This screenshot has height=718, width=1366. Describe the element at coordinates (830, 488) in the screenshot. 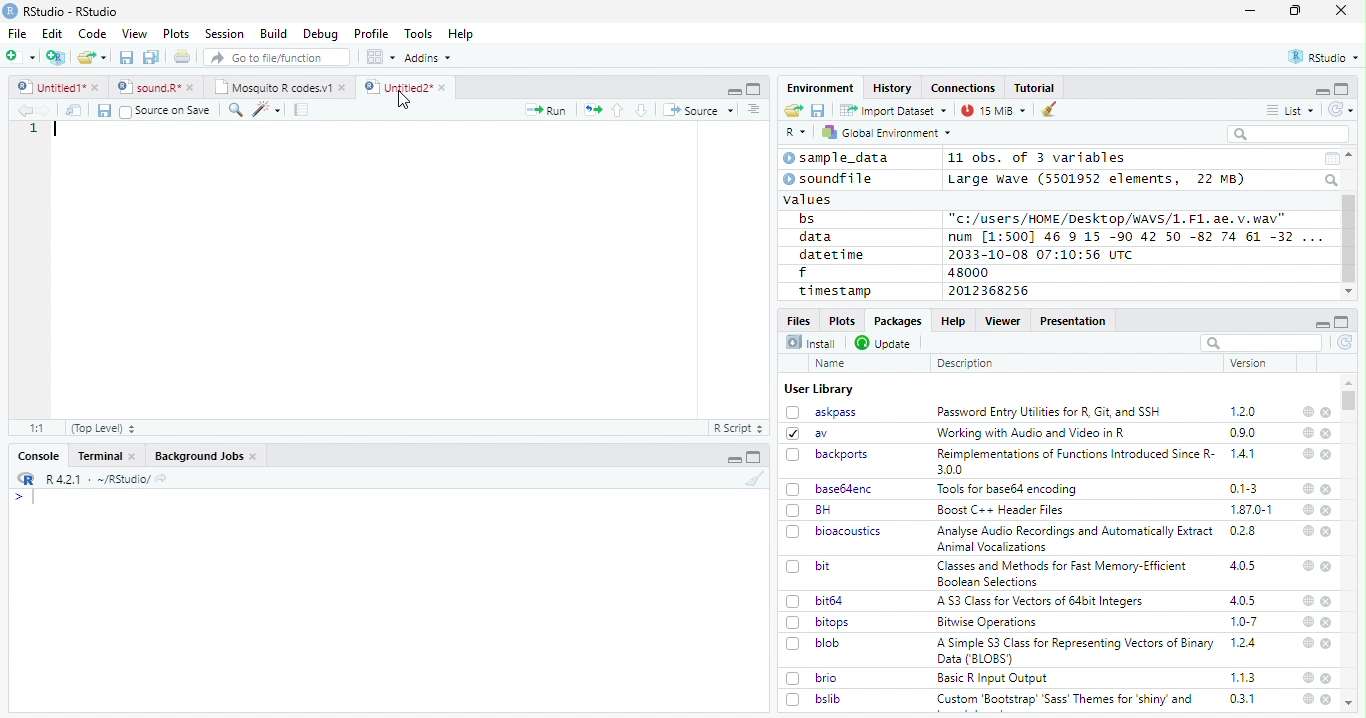

I see `base64enc` at that location.